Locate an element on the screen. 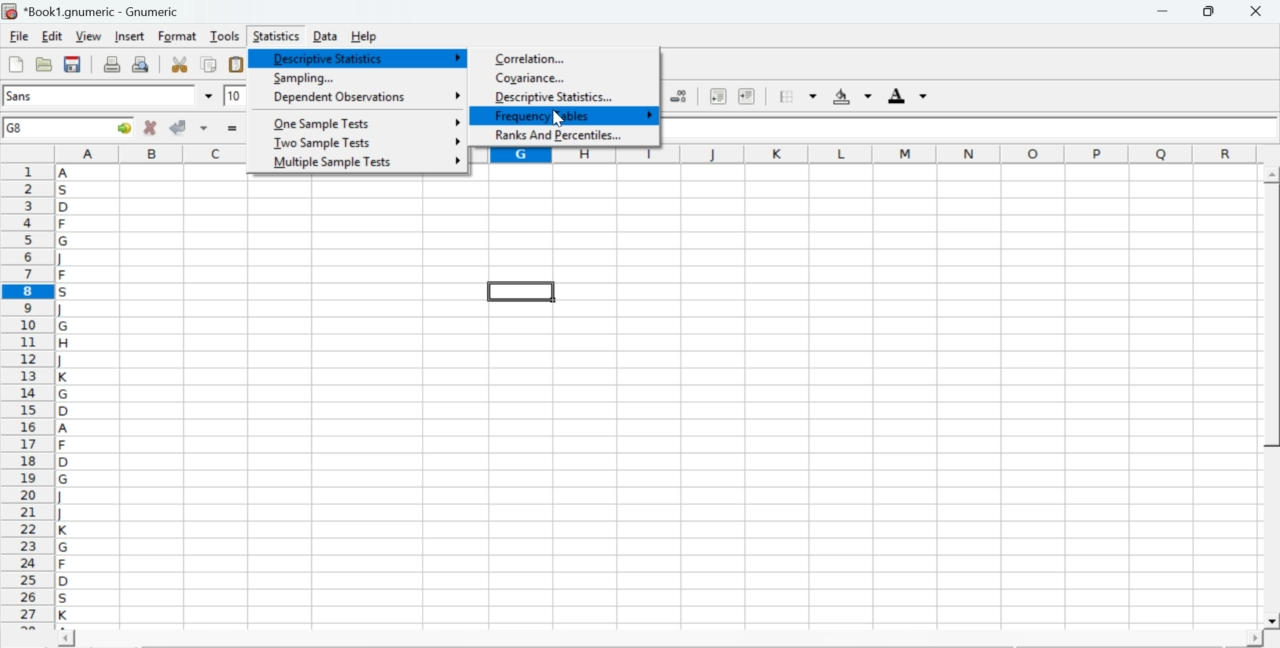  multiple sample tests is located at coordinates (332, 163).